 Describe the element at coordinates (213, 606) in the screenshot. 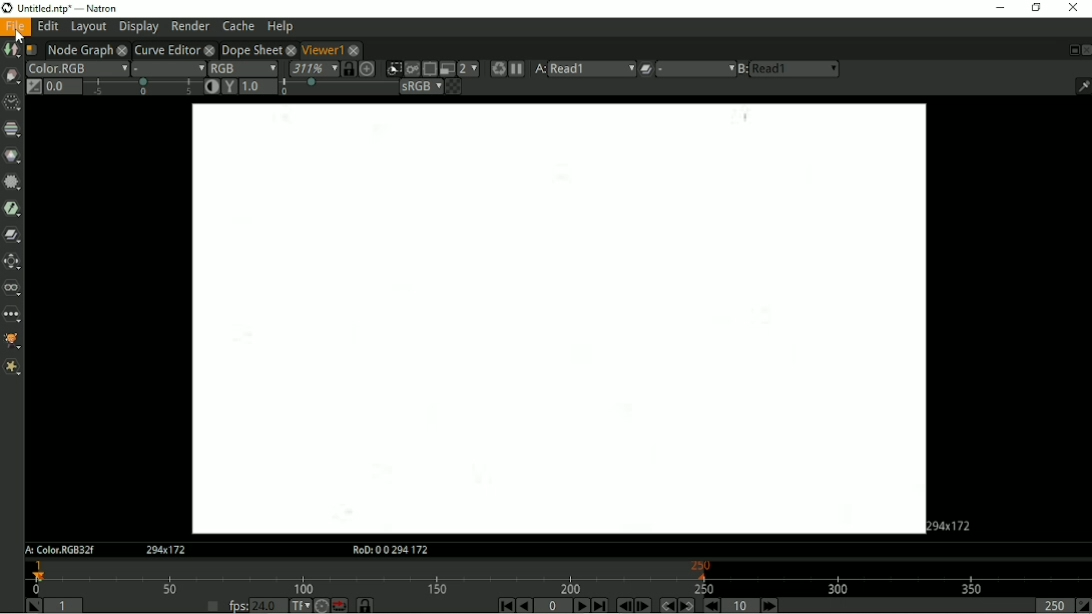

I see `Set playback frame rate automatically` at that location.